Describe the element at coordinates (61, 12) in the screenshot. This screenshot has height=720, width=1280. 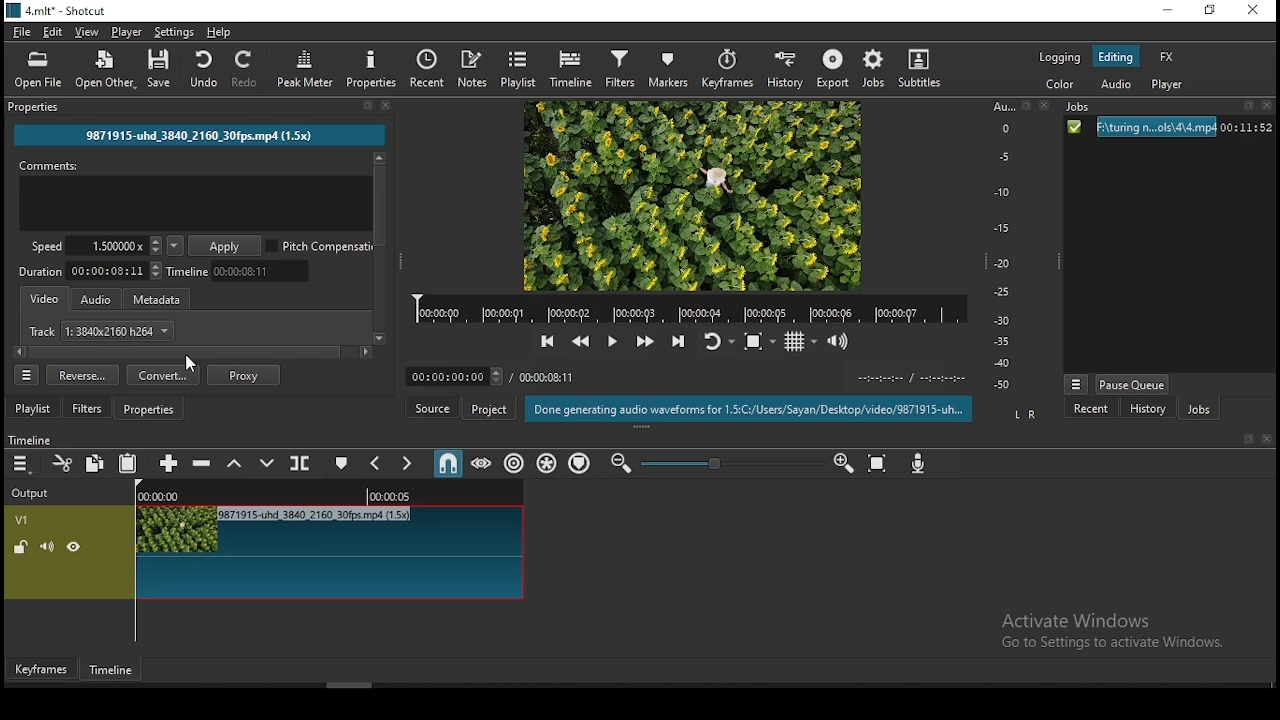
I see `4.mlt - Shotcut` at that location.